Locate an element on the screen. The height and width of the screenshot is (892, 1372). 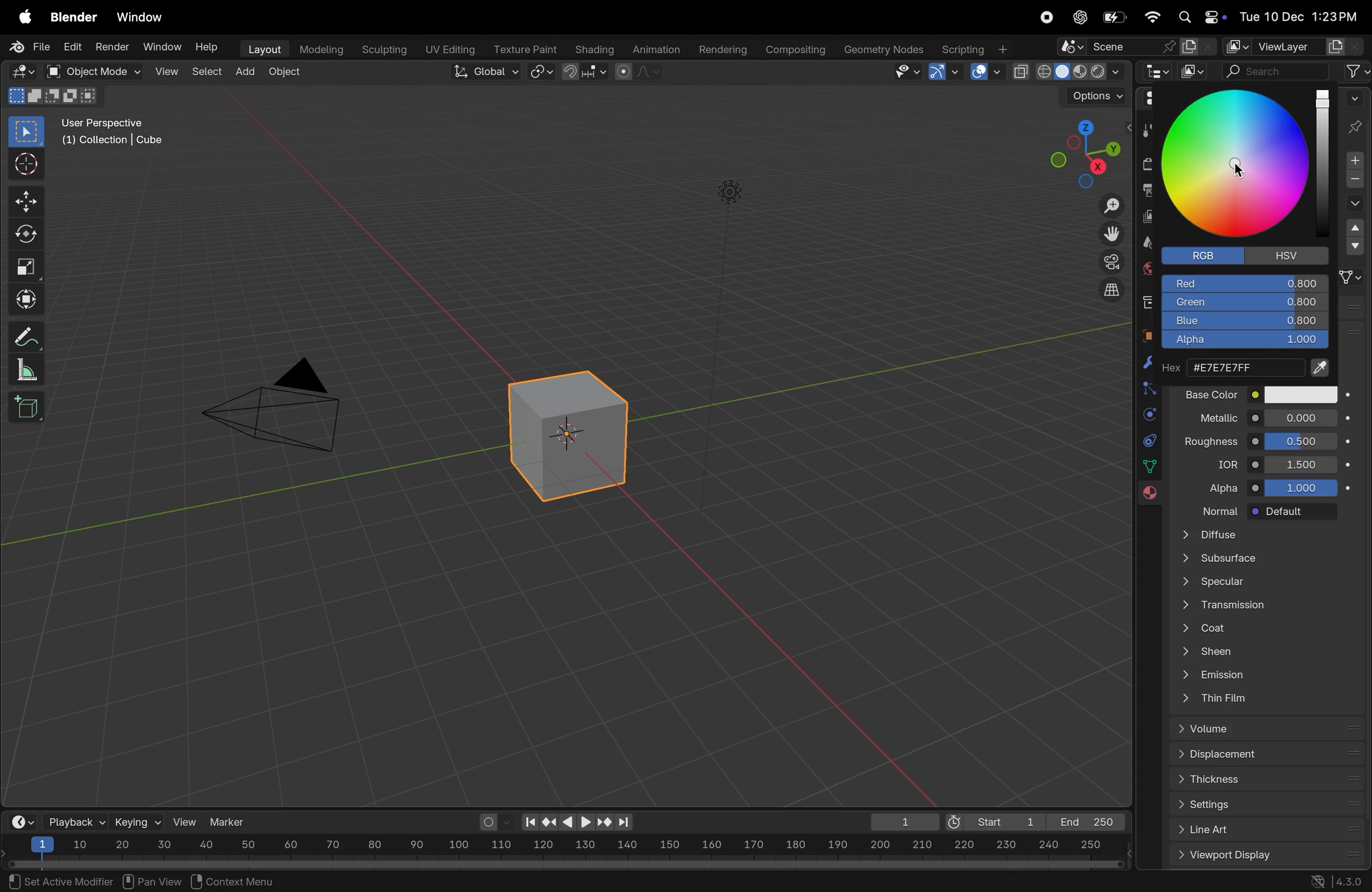
apple widgets is located at coordinates (1199, 17).